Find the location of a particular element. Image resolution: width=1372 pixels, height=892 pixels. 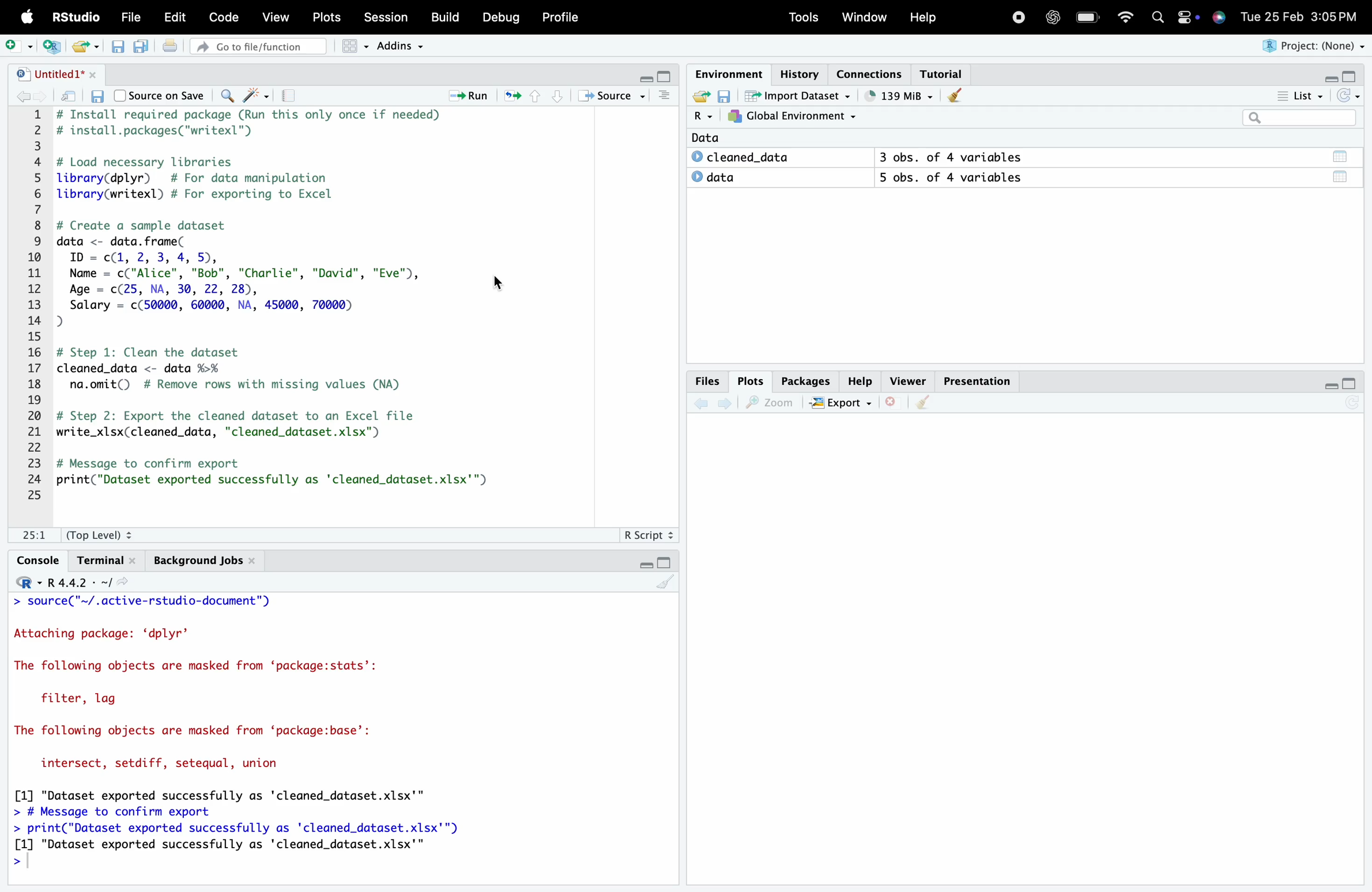

Data
© cleaned_data 3 obs. of 4 variables
© data 5 obs. of 4 variables is located at coordinates (868, 161).